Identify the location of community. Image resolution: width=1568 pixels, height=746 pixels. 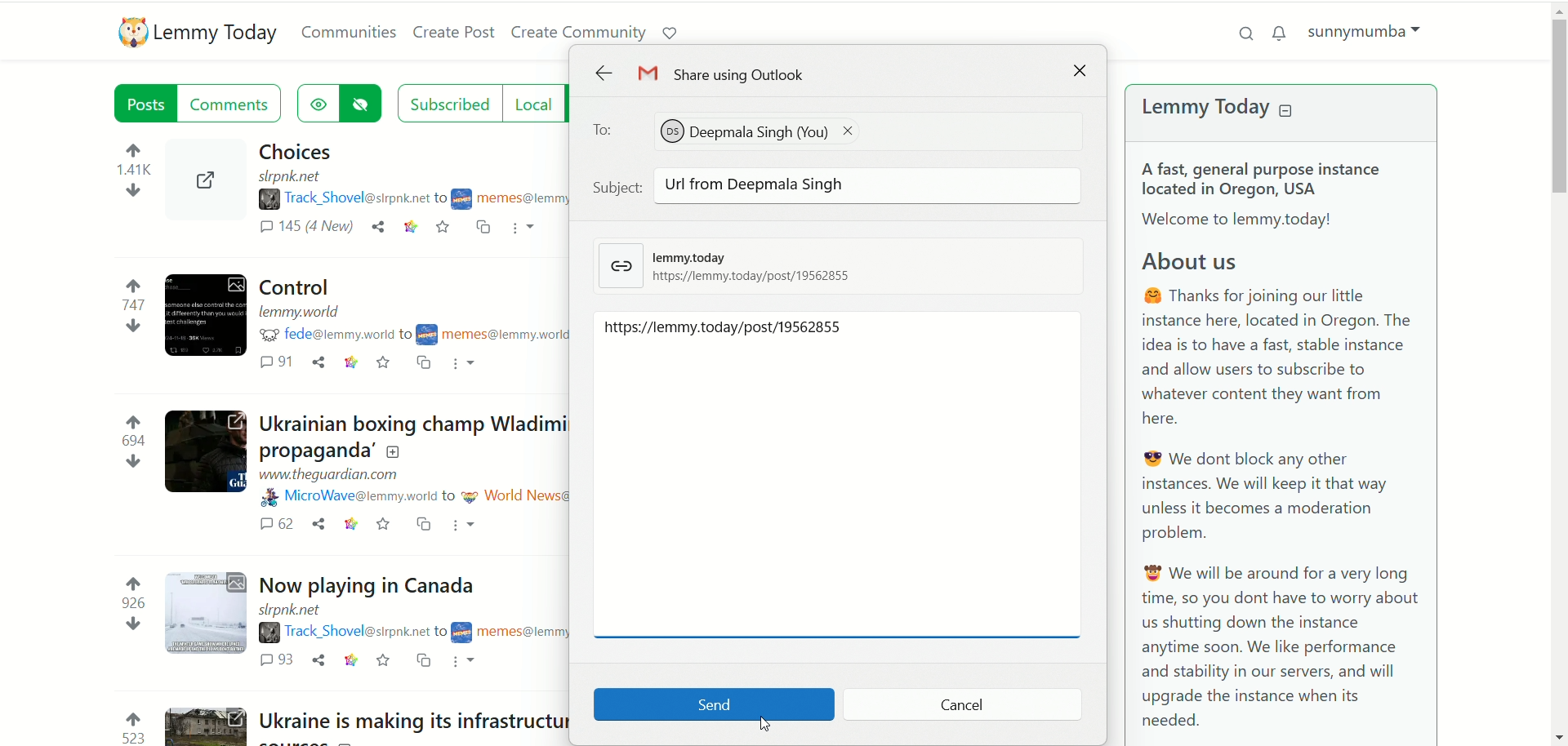
(511, 198).